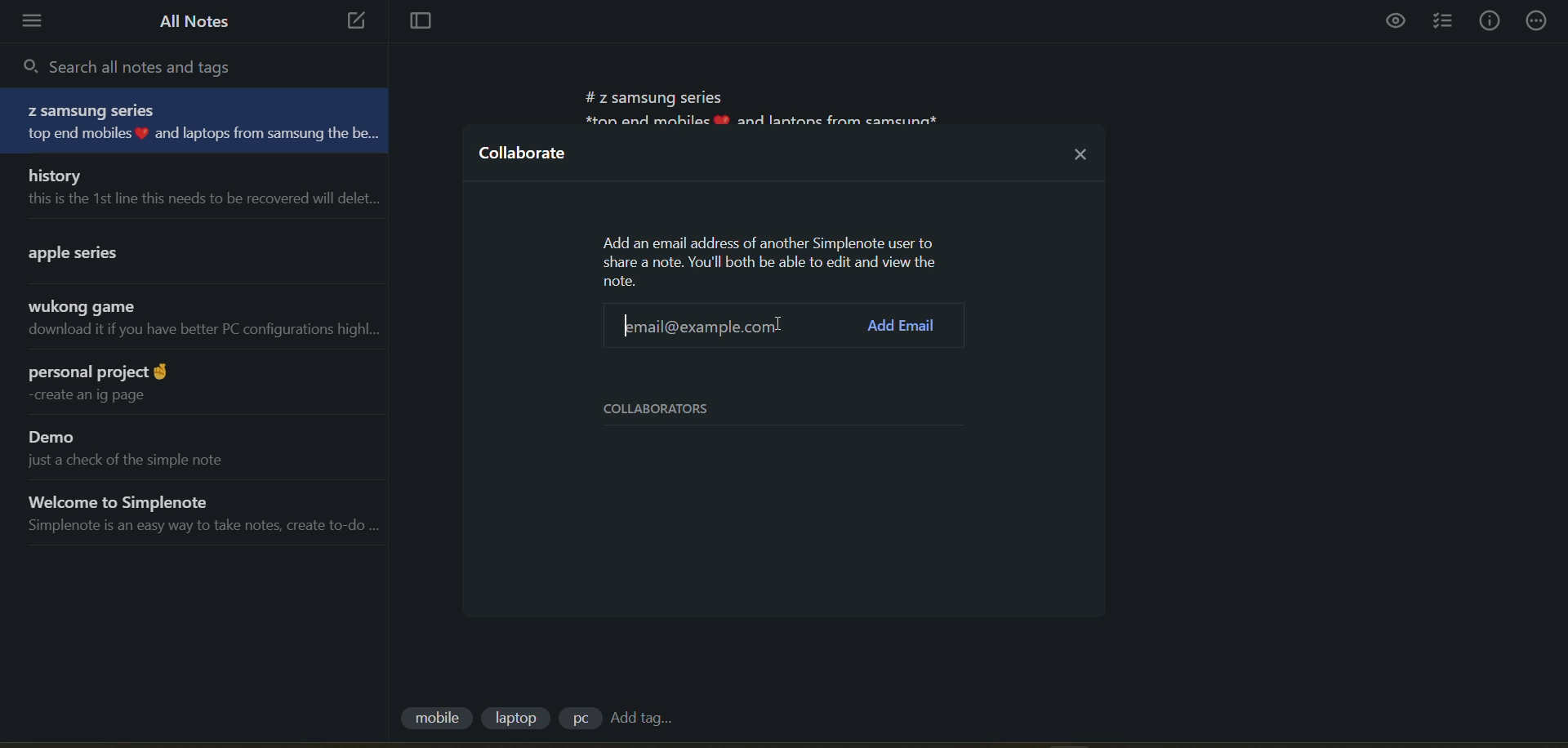 The image size is (1568, 748). What do you see at coordinates (196, 382) in the screenshot?
I see `note title and preview` at bounding box center [196, 382].